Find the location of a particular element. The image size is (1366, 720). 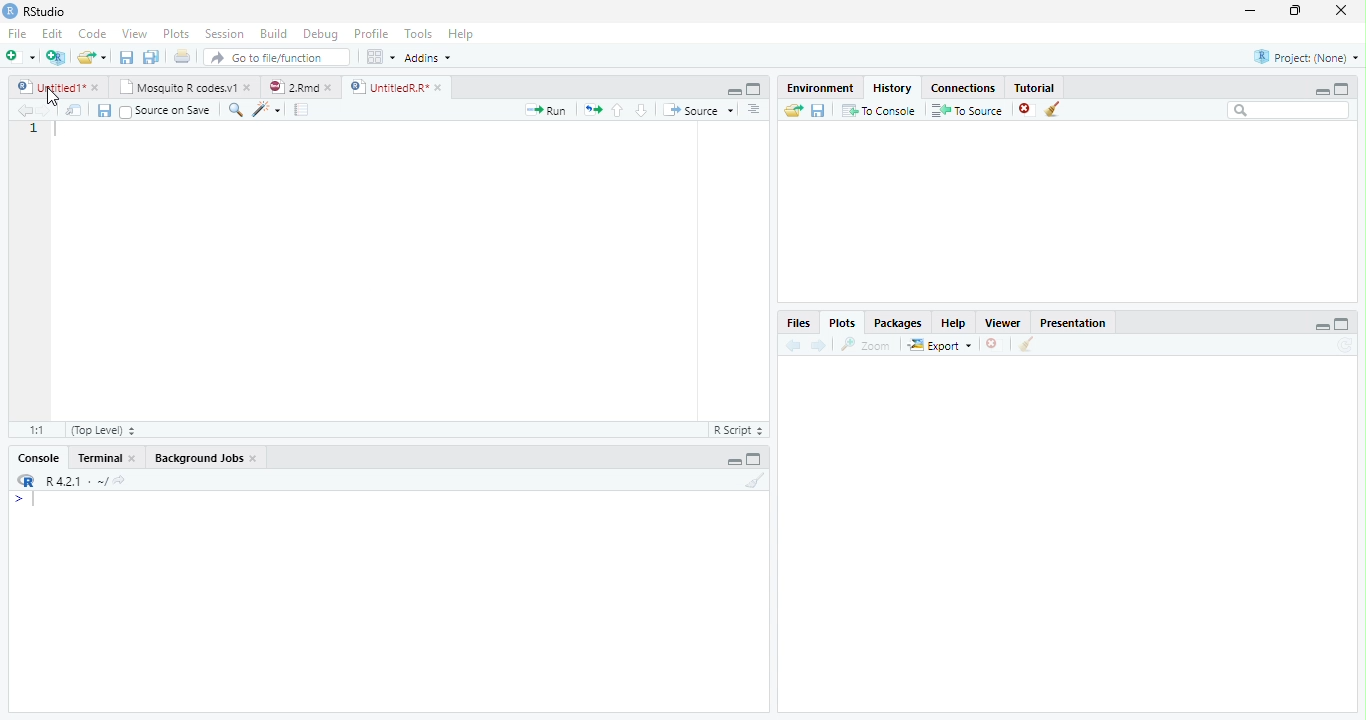

Code is located at coordinates (94, 35).